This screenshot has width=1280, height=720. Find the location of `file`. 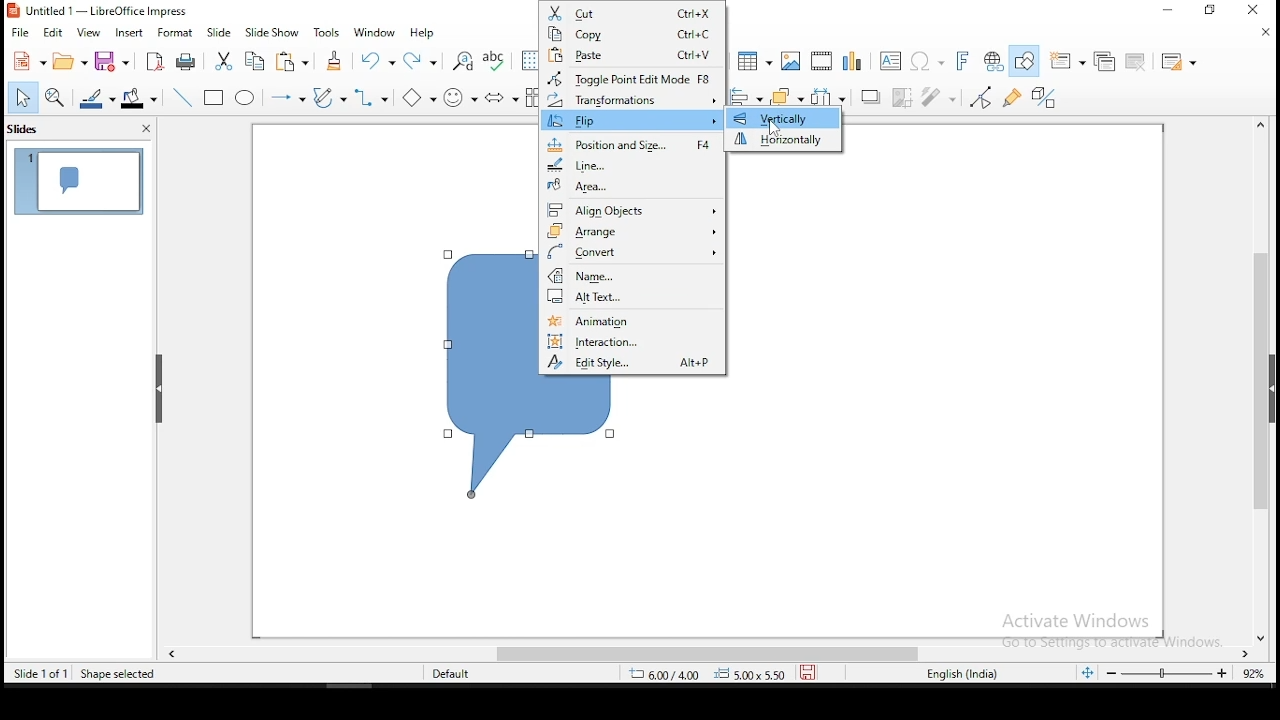

file is located at coordinates (19, 32).